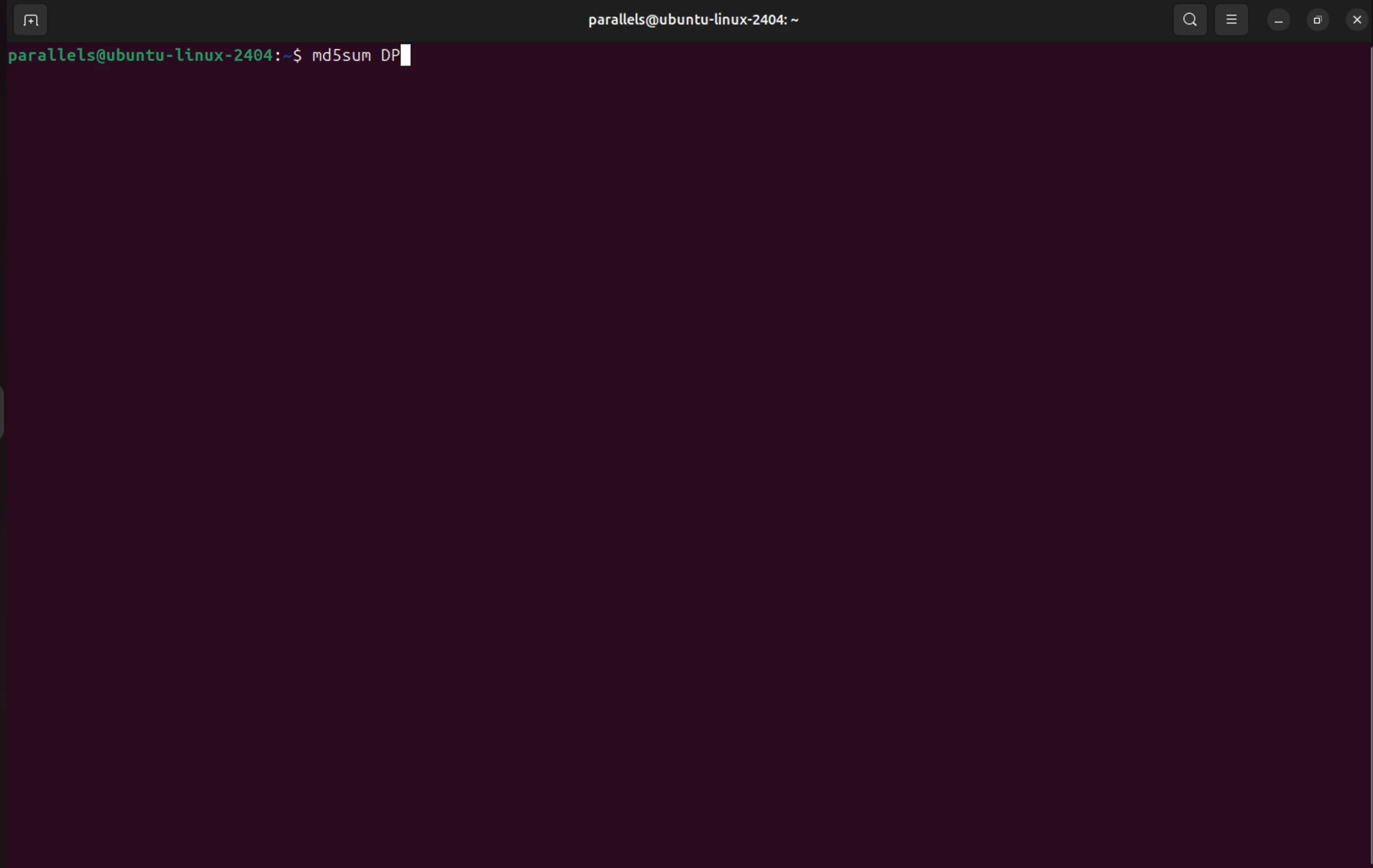  I want to click on md5sum filename, so click(369, 56).